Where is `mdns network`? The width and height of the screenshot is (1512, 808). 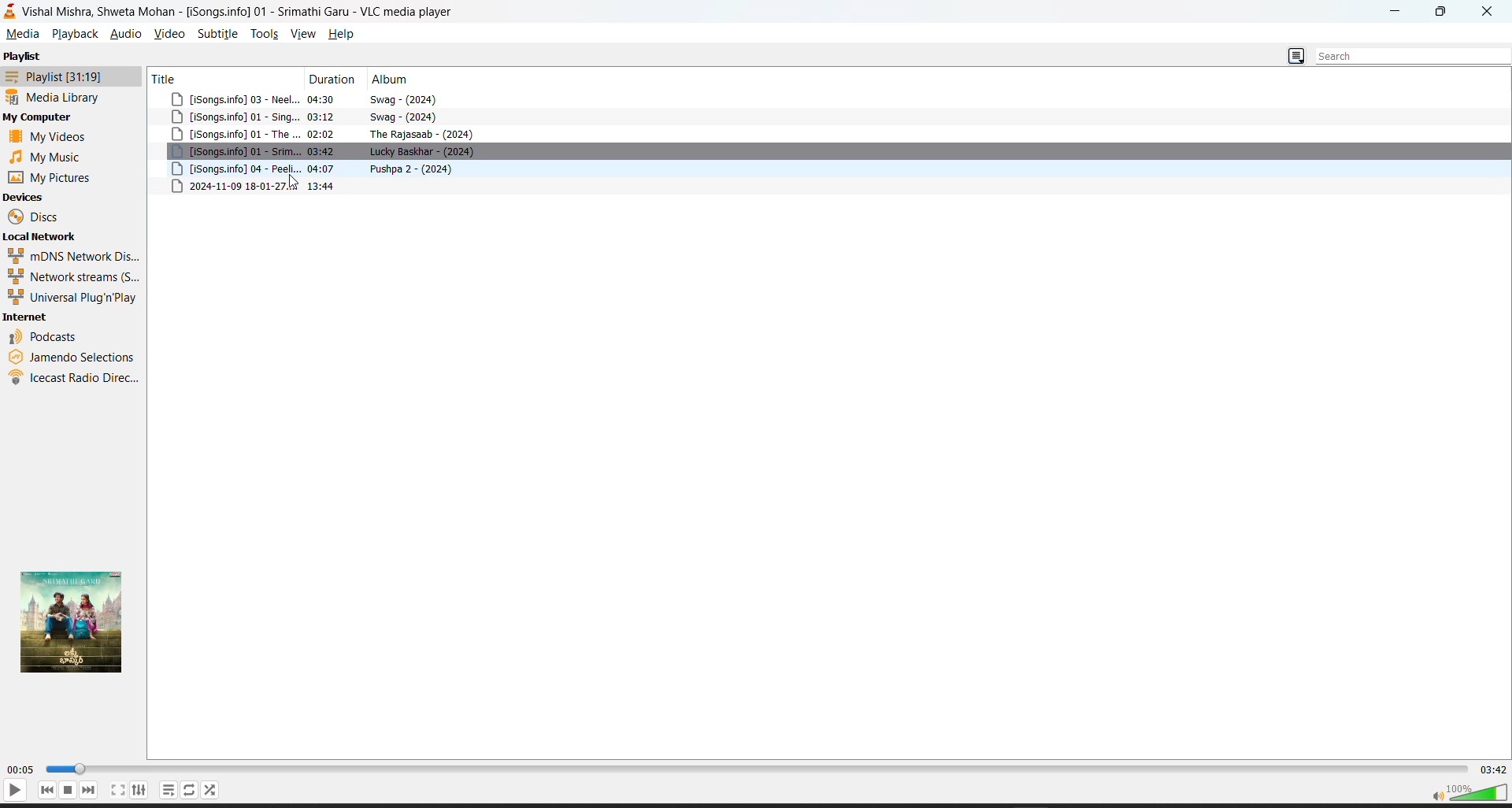 mdns network is located at coordinates (70, 256).